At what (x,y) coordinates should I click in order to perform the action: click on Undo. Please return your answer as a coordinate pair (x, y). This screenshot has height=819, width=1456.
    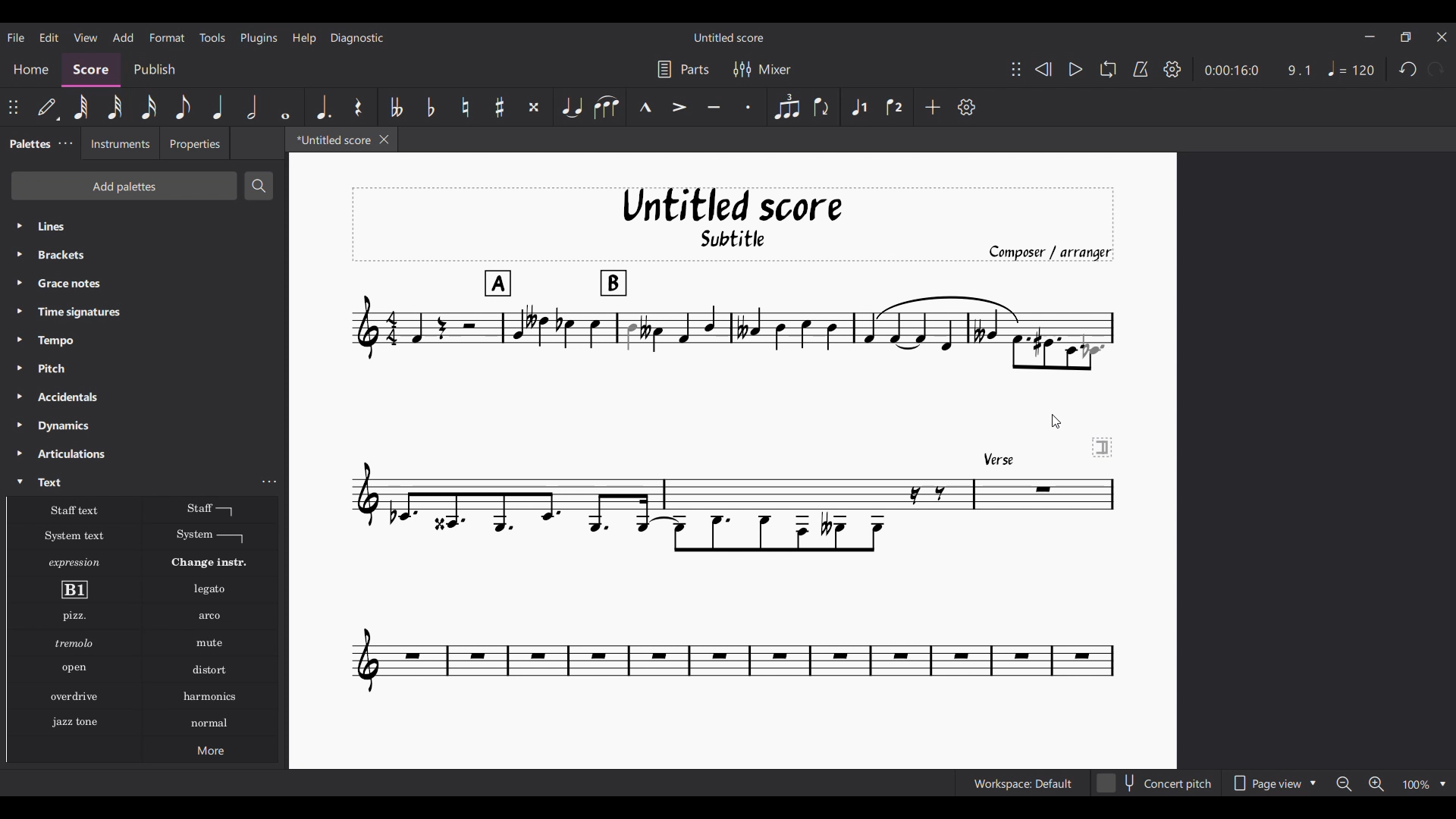
    Looking at the image, I should click on (1409, 68).